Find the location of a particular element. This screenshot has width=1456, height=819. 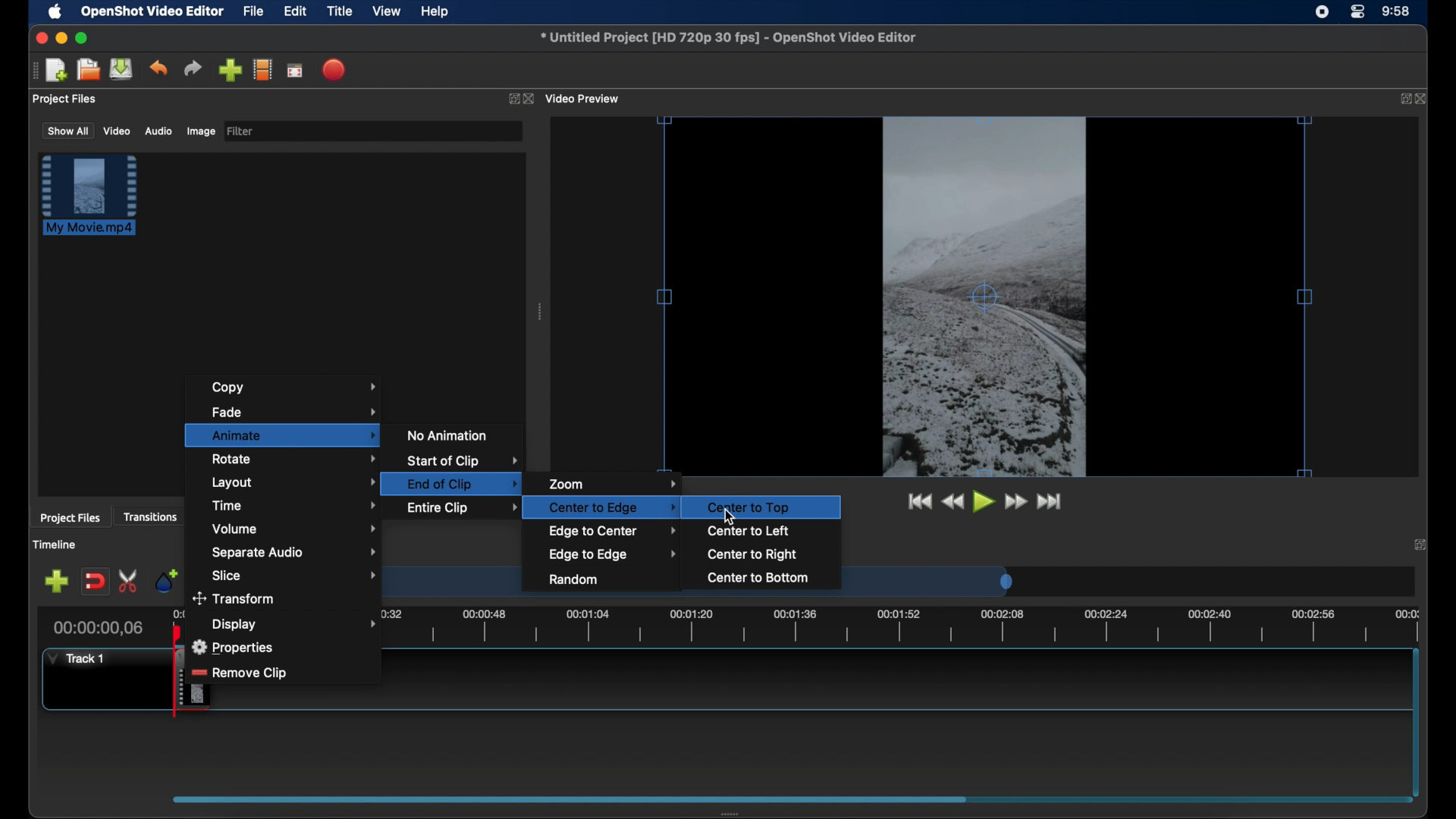

expand is located at coordinates (1423, 544).